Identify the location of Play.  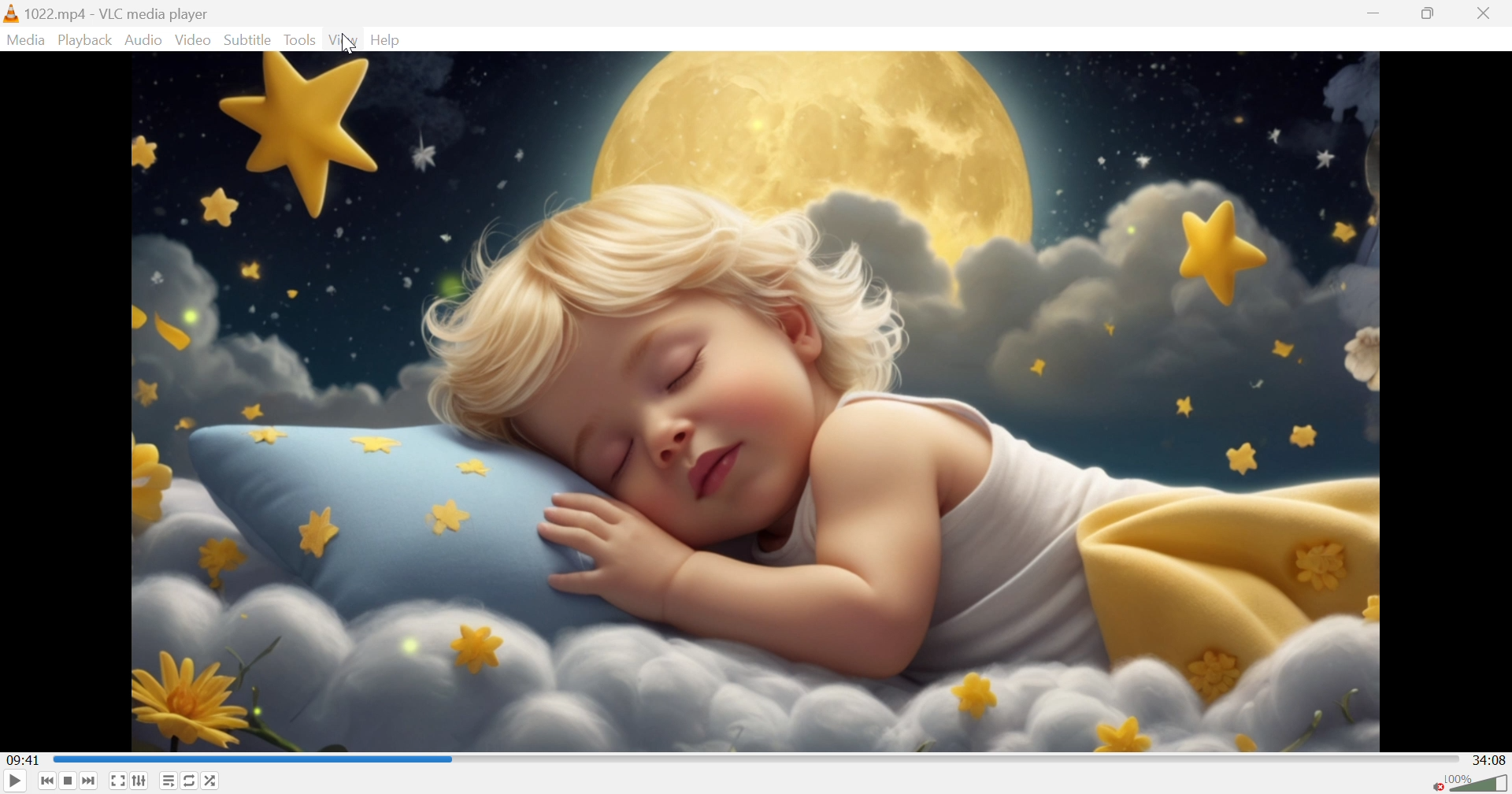
(14, 783).